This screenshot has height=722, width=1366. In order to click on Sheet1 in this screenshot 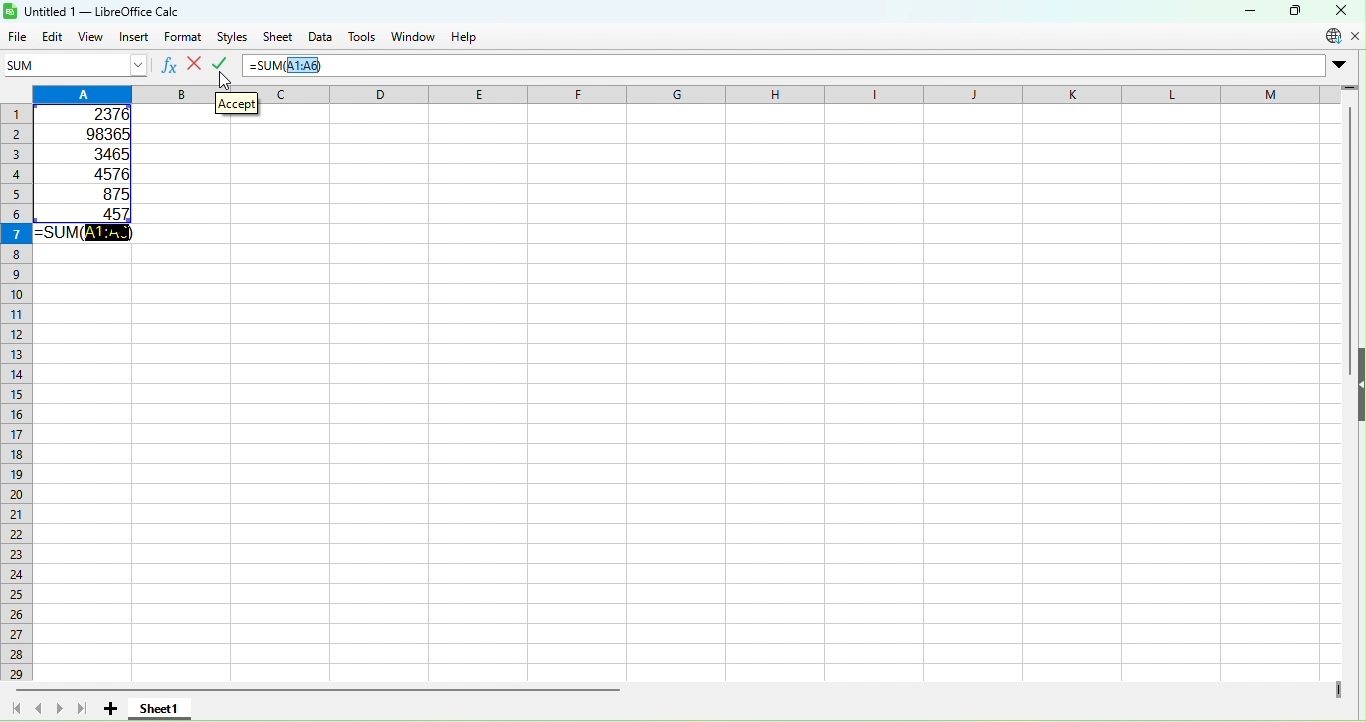, I will do `click(159, 707)`.